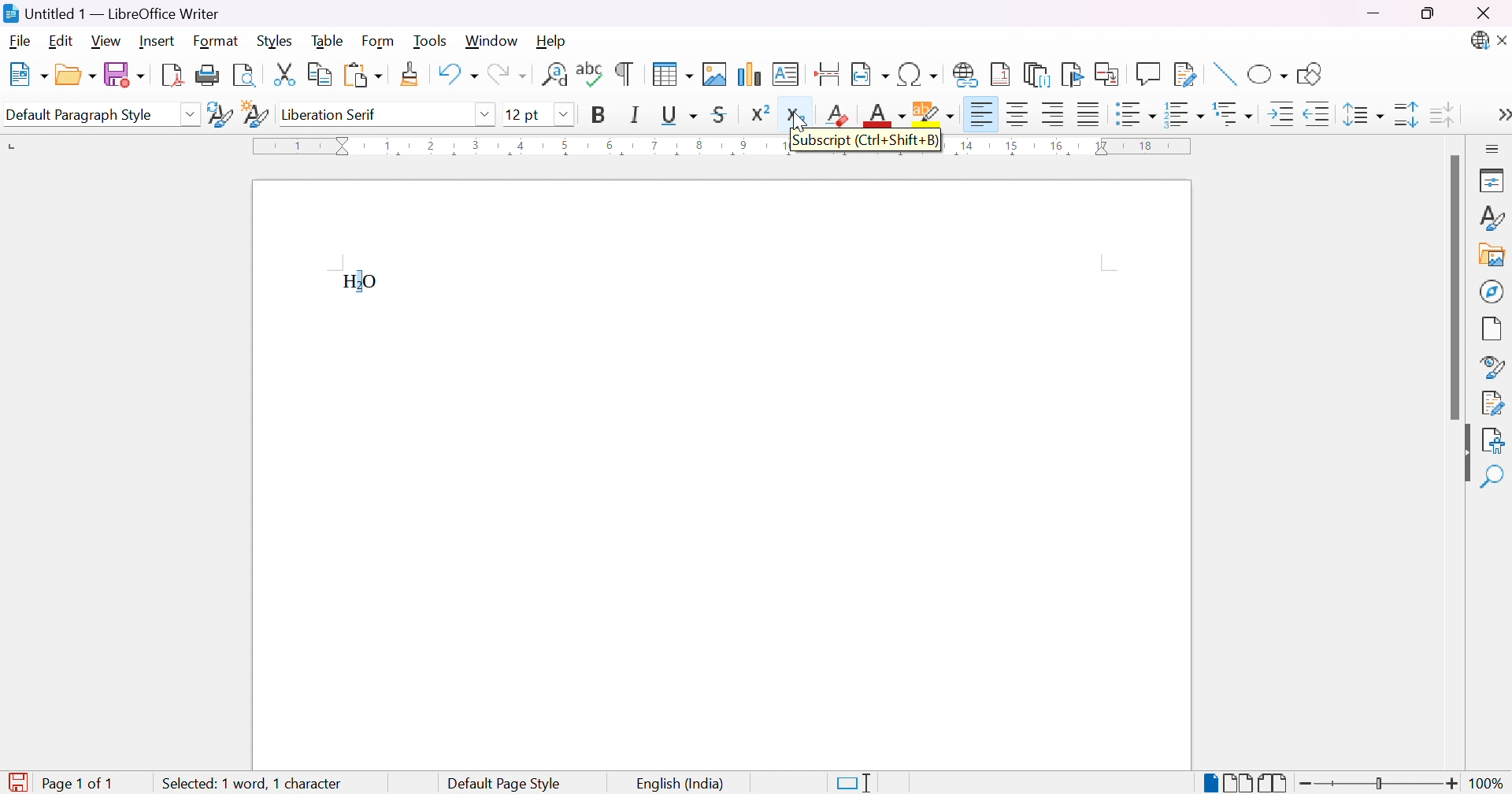 This screenshot has width=1512, height=794. What do you see at coordinates (1236, 114) in the screenshot?
I see `Select outline format` at bounding box center [1236, 114].